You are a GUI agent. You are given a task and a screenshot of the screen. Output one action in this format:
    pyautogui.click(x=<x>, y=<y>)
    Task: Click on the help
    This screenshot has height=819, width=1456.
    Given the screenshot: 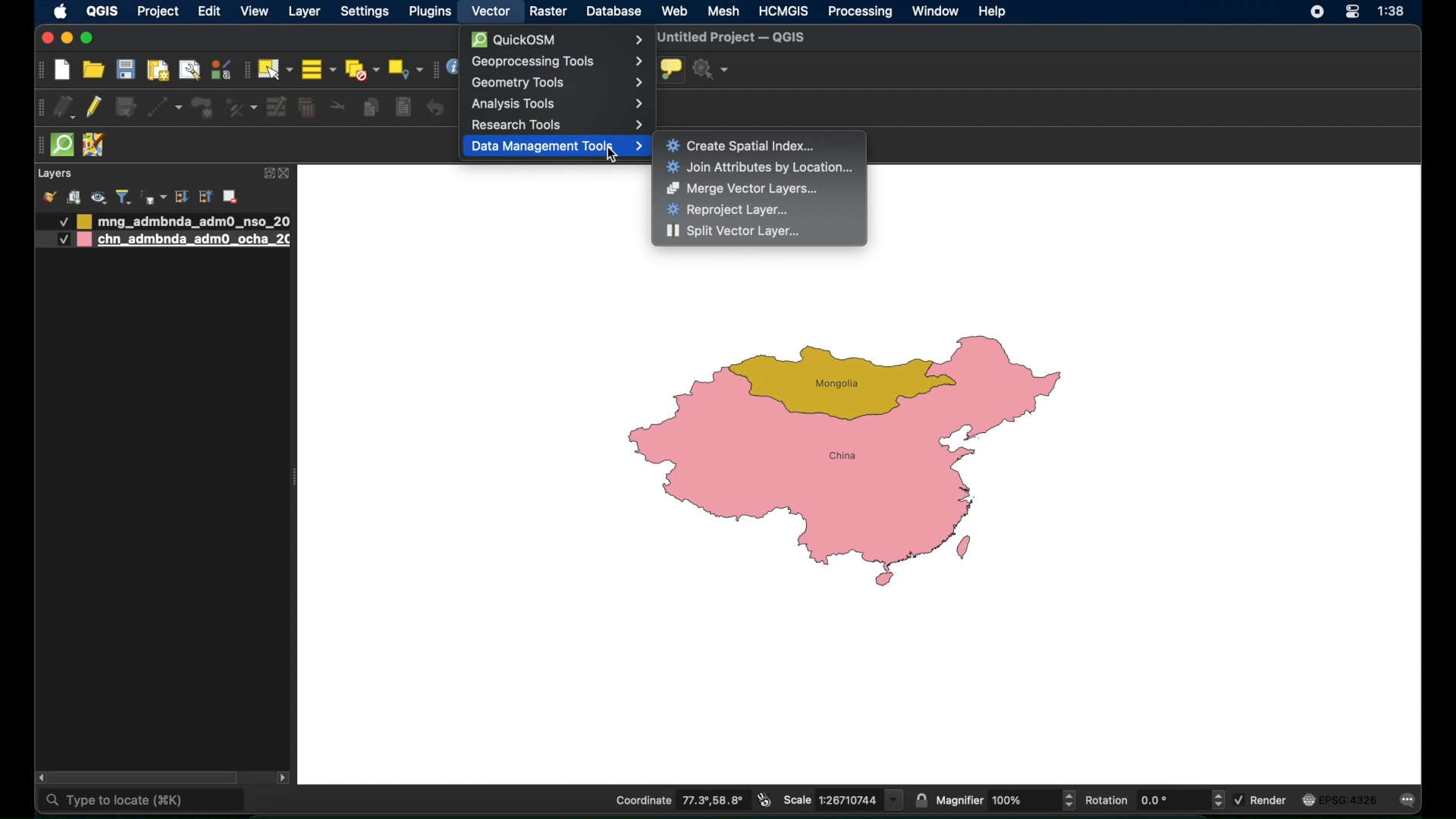 What is the action you would take?
    pyautogui.click(x=993, y=11)
    